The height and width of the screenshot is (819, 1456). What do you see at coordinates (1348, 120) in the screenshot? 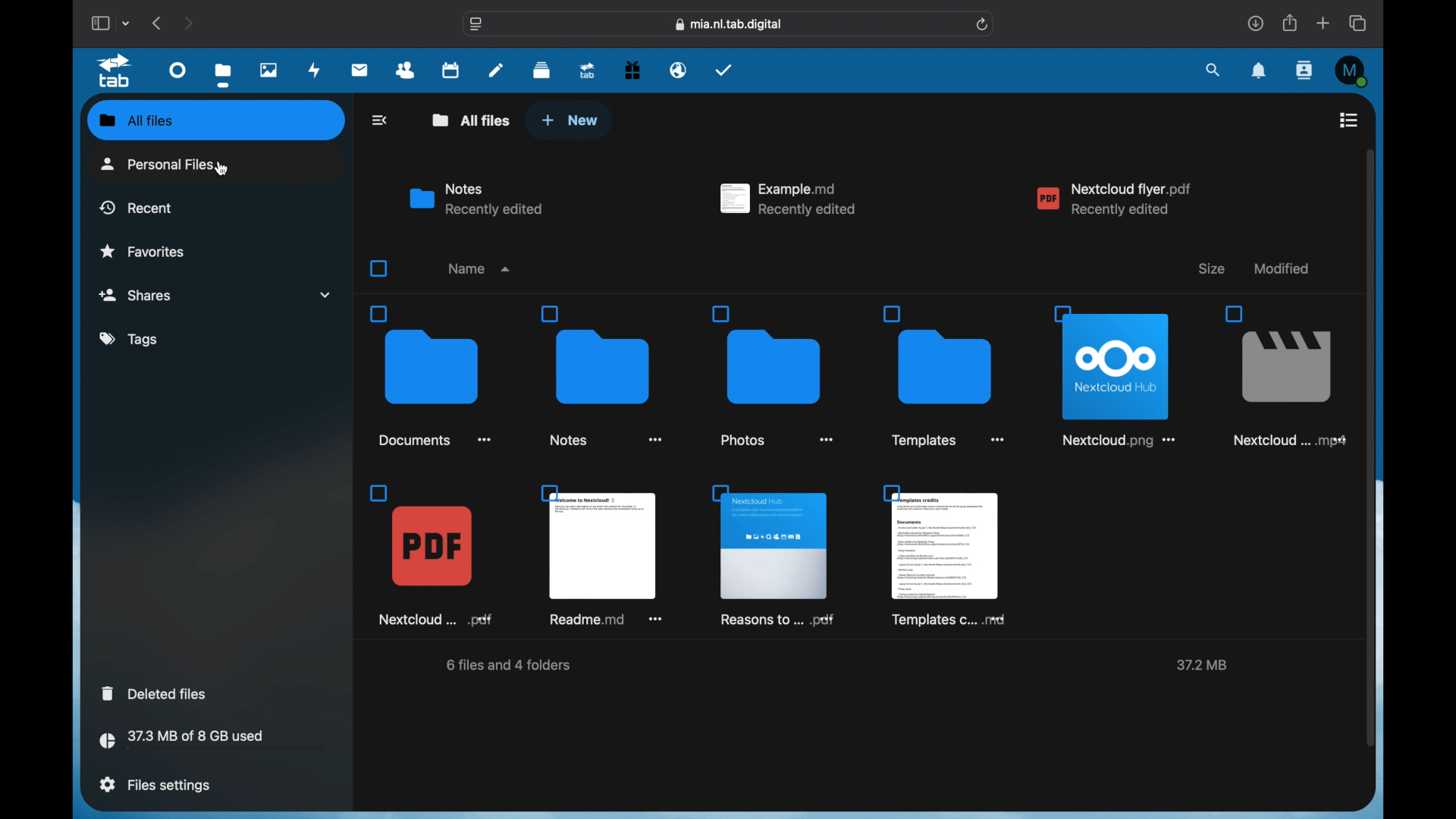
I see `list view` at bounding box center [1348, 120].